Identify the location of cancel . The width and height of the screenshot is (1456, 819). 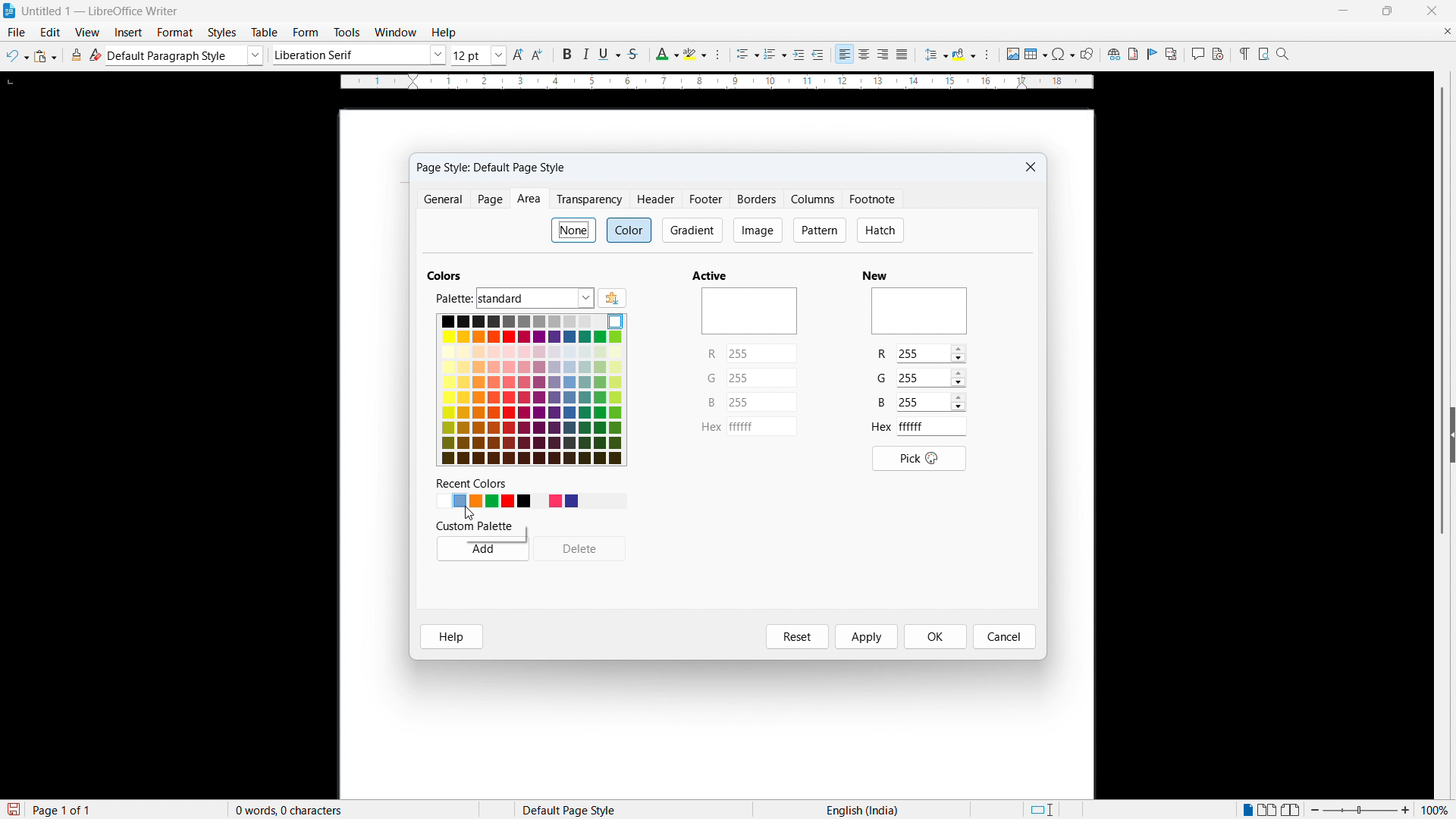
(1004, 637).